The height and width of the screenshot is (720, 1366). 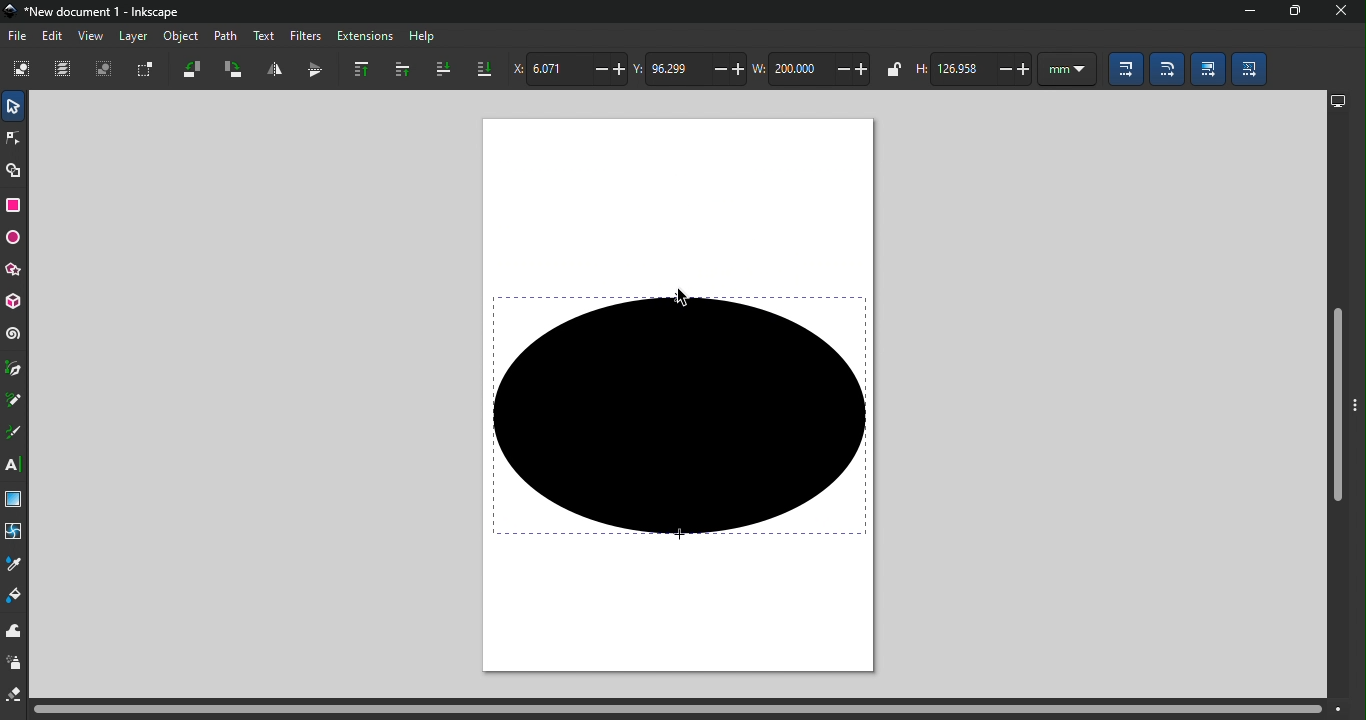 I want to click on When scaling objects, scale the stroke width by the same proportion, so click(x=1128, y=71).